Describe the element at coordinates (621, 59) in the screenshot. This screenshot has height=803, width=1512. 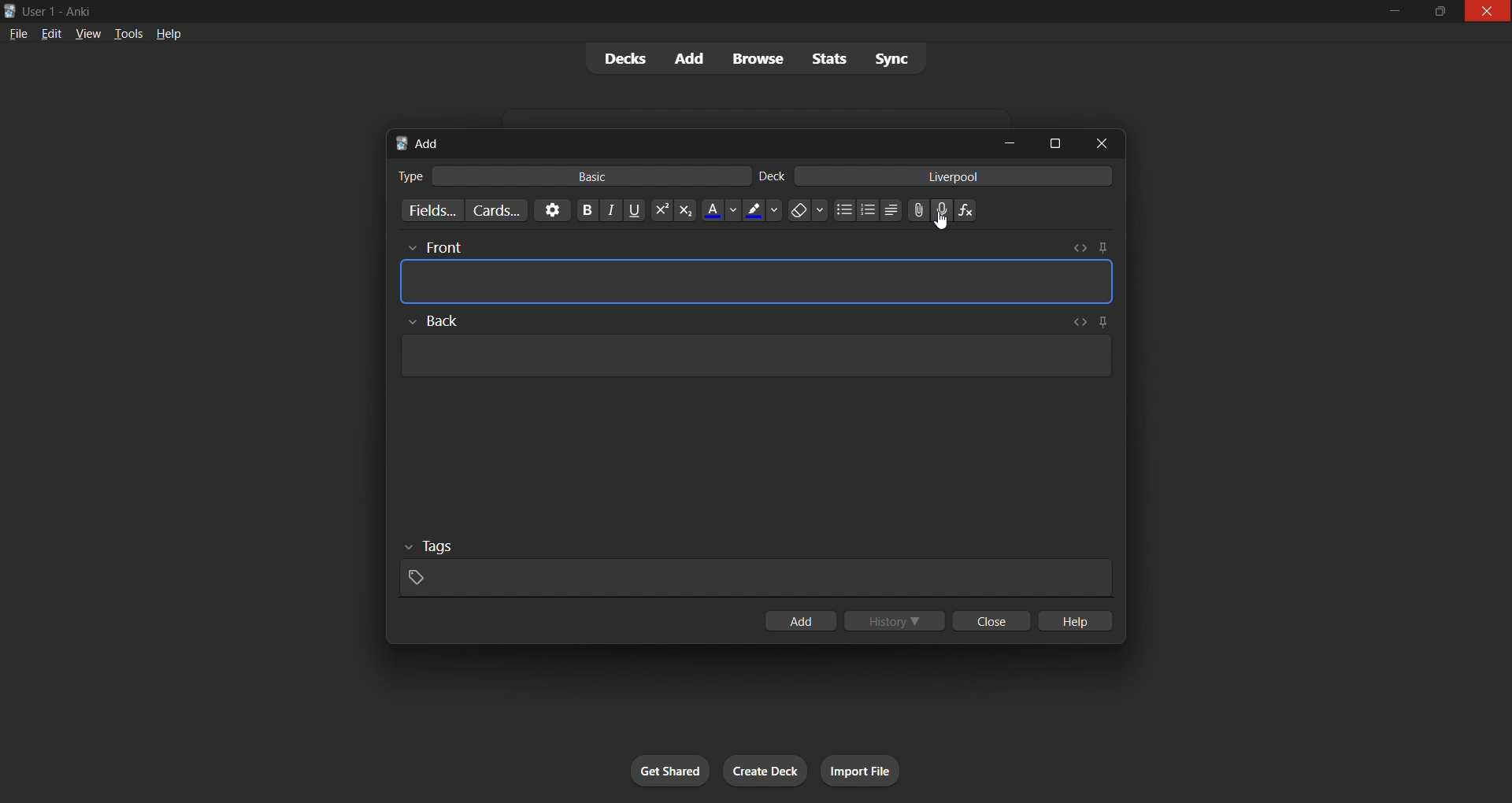
I see `decks` at that location.